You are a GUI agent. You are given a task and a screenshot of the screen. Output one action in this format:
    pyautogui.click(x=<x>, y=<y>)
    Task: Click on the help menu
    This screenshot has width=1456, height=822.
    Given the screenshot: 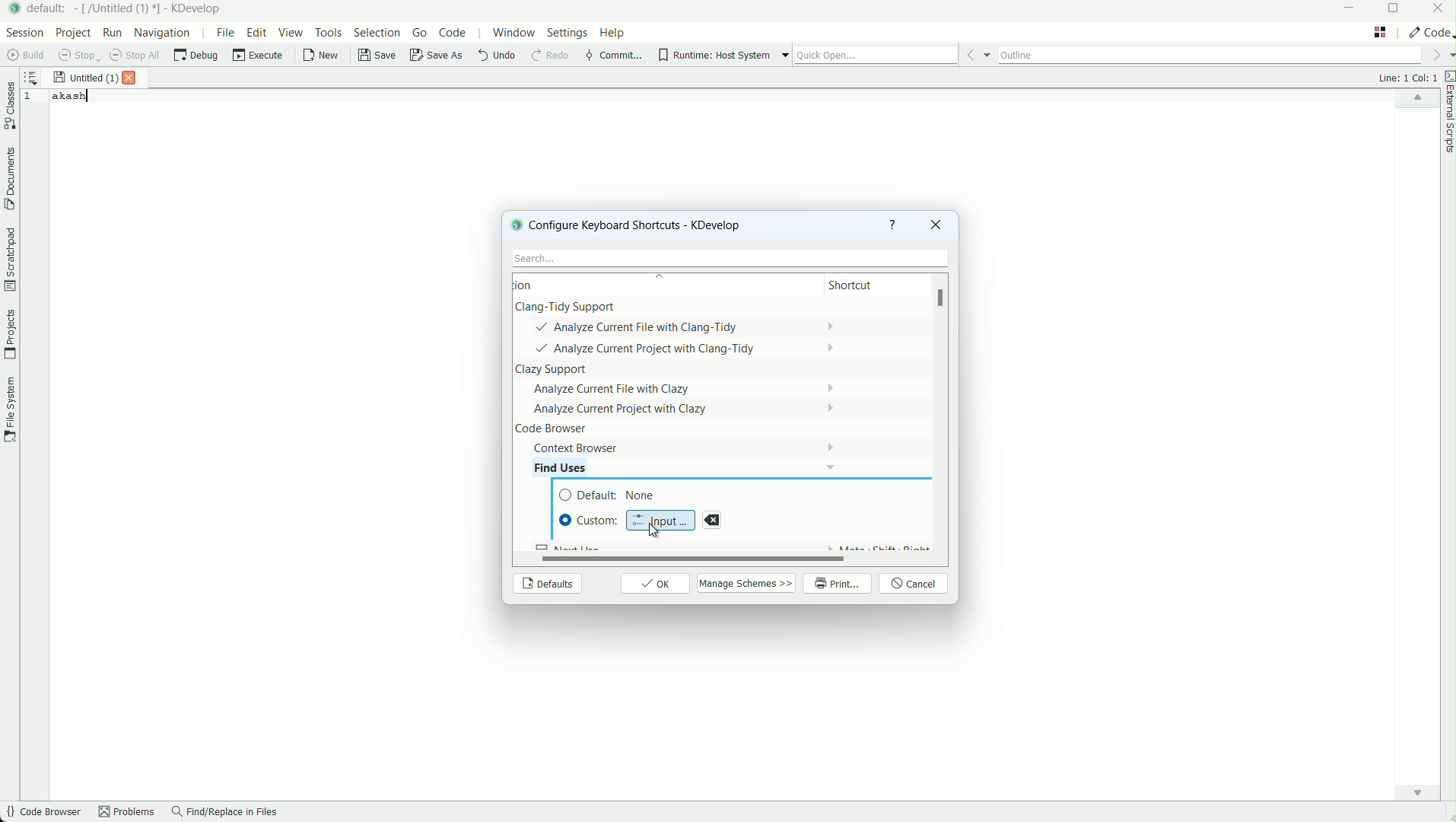 What is the action you would take?
    pyautogui.click(x=614, y=34)
    